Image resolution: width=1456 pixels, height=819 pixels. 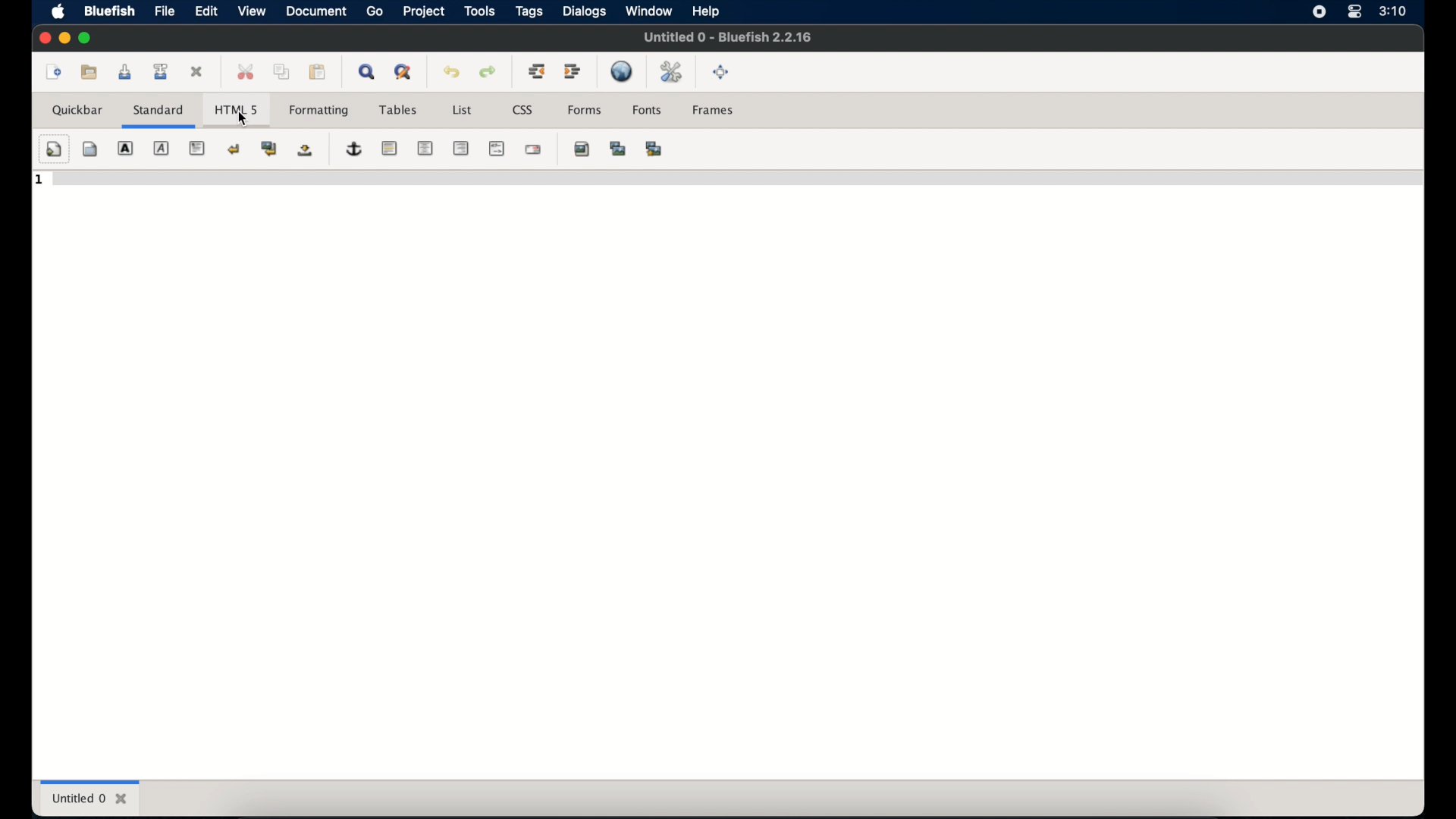 What do you see at coordinates (533, 149) in the screenshot?
I see `email` at bounding box center [533, 149].